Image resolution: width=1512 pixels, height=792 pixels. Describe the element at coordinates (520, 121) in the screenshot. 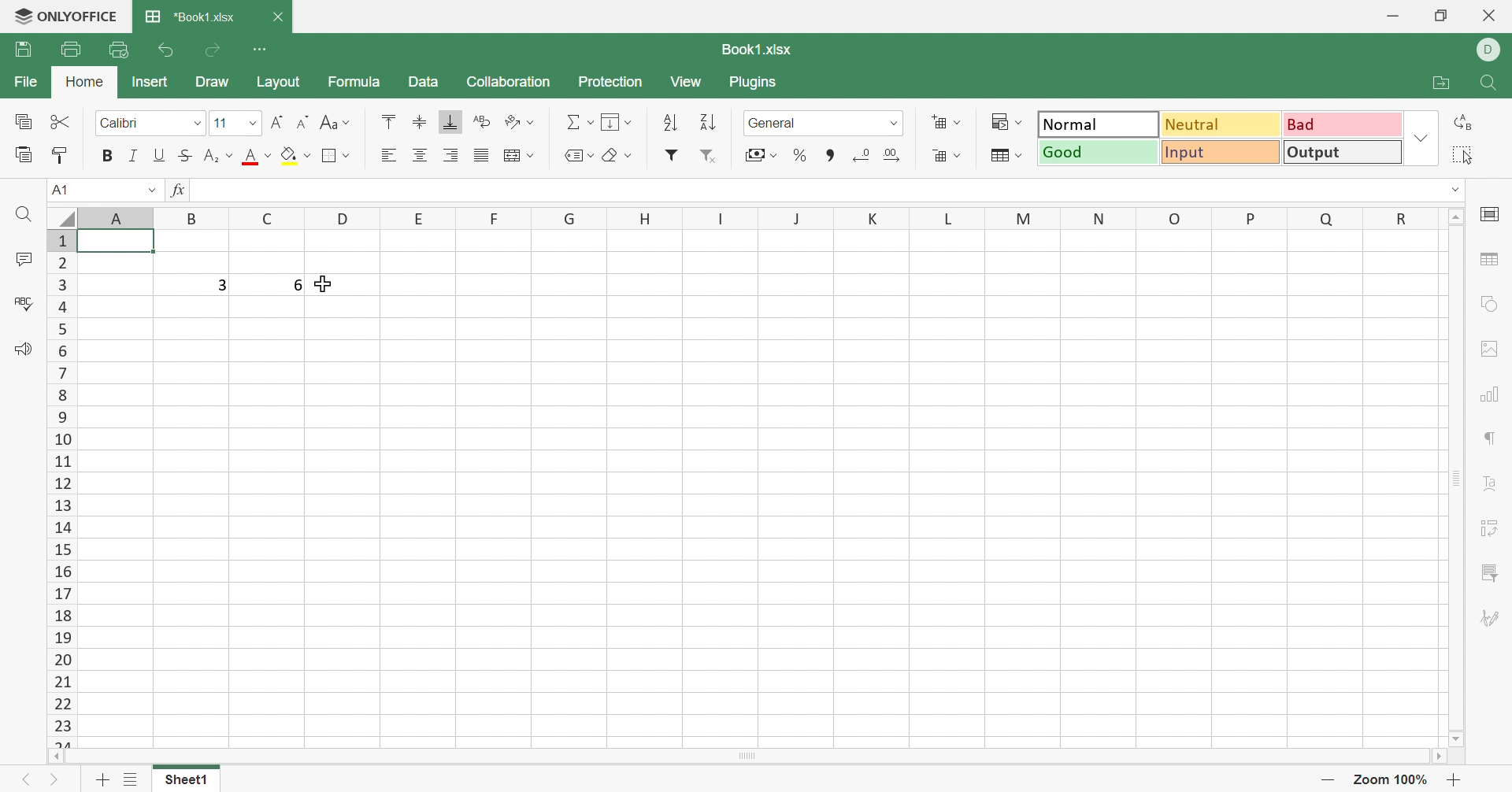

I see `Orientation` at that location.